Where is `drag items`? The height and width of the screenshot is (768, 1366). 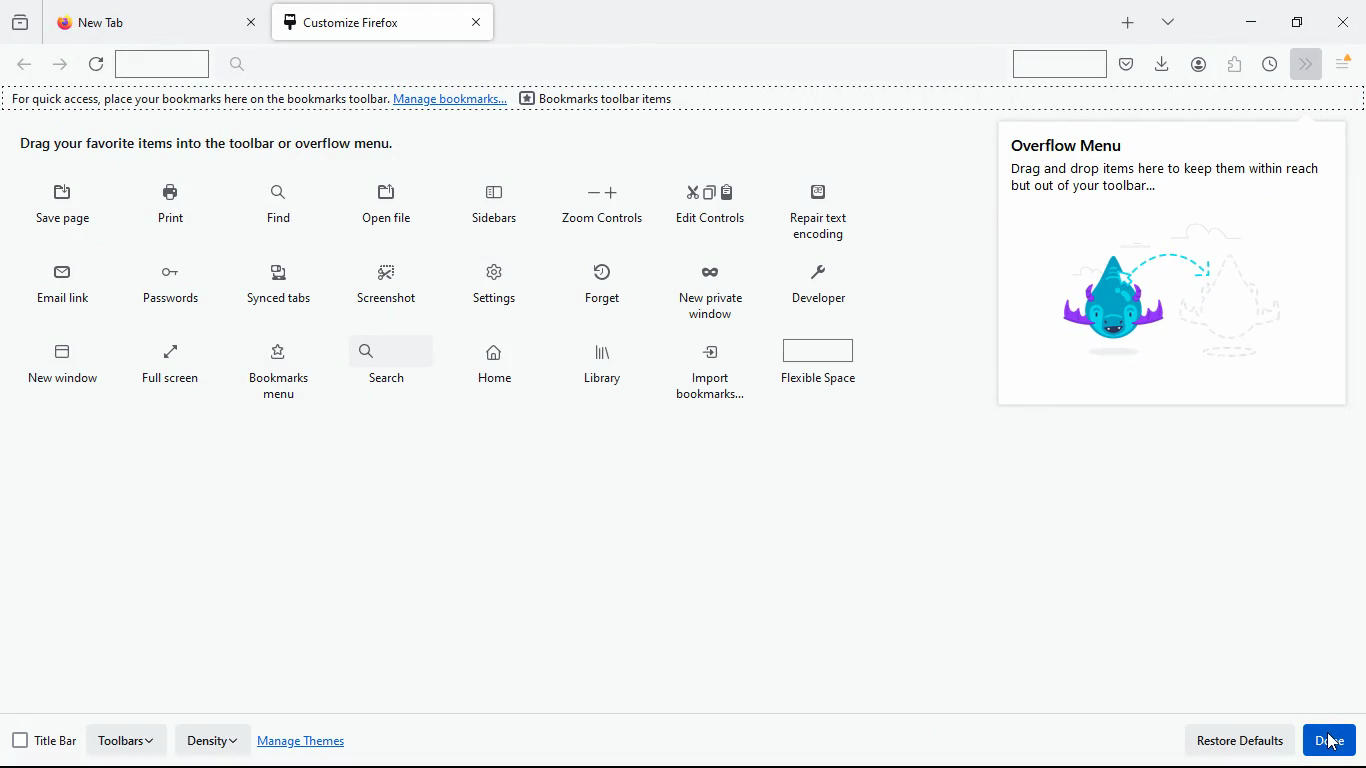 drag items is located at coordinates (222, 146).